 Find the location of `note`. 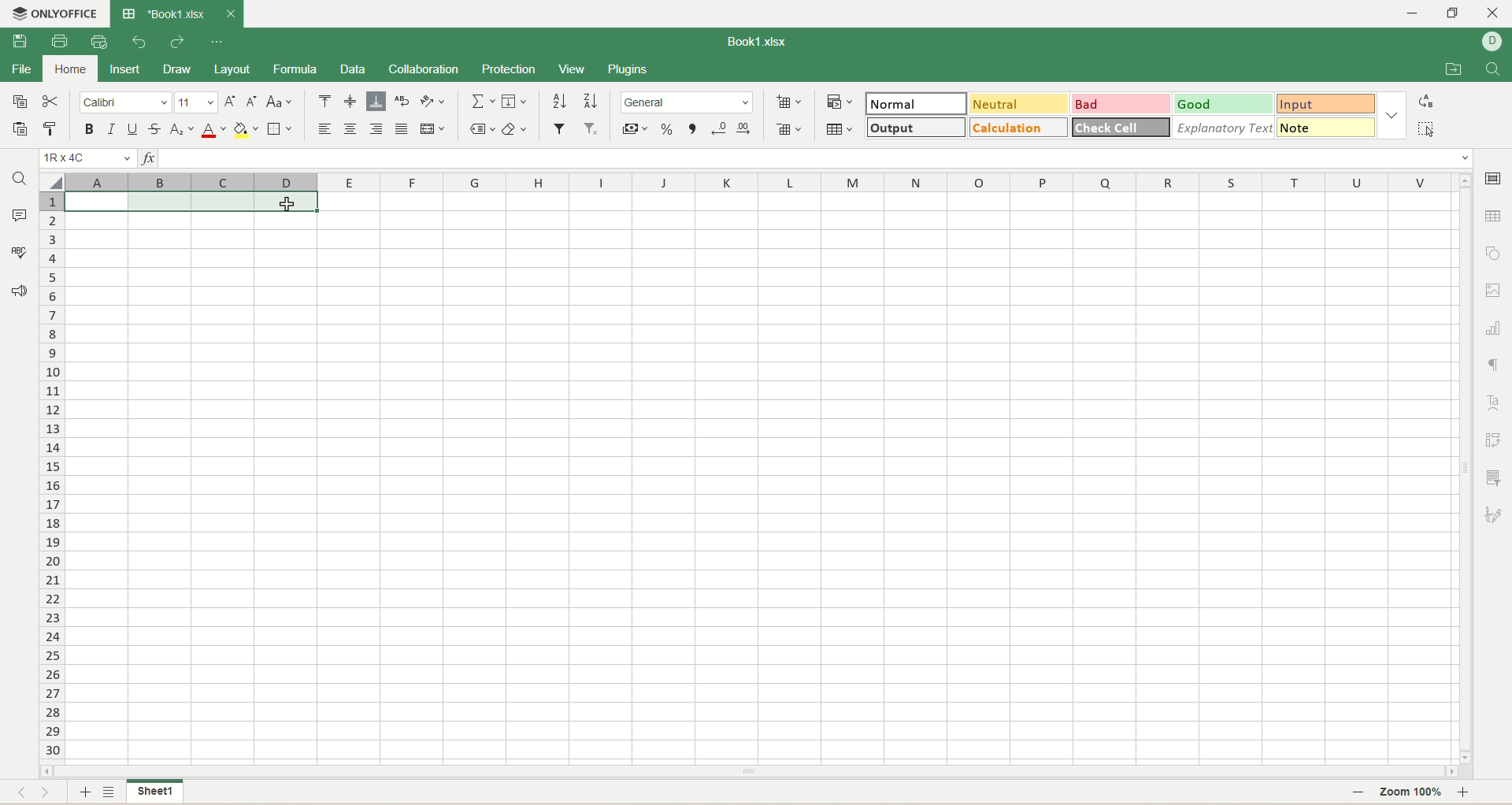

note is located at coordinates (1324, 128).